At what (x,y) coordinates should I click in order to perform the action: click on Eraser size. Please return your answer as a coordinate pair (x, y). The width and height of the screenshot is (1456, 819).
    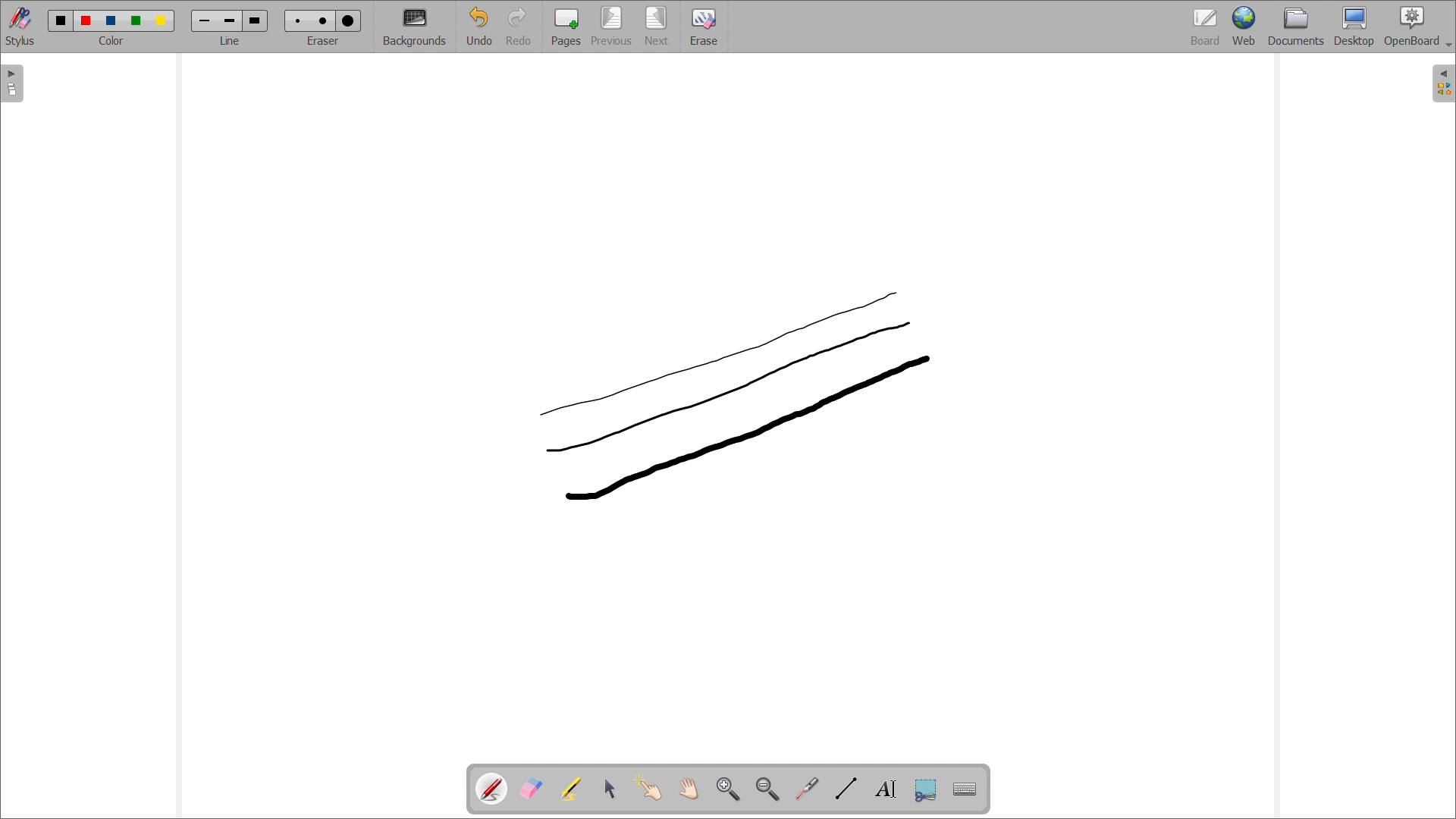
    Looking at the image, I should click on (323, 20).